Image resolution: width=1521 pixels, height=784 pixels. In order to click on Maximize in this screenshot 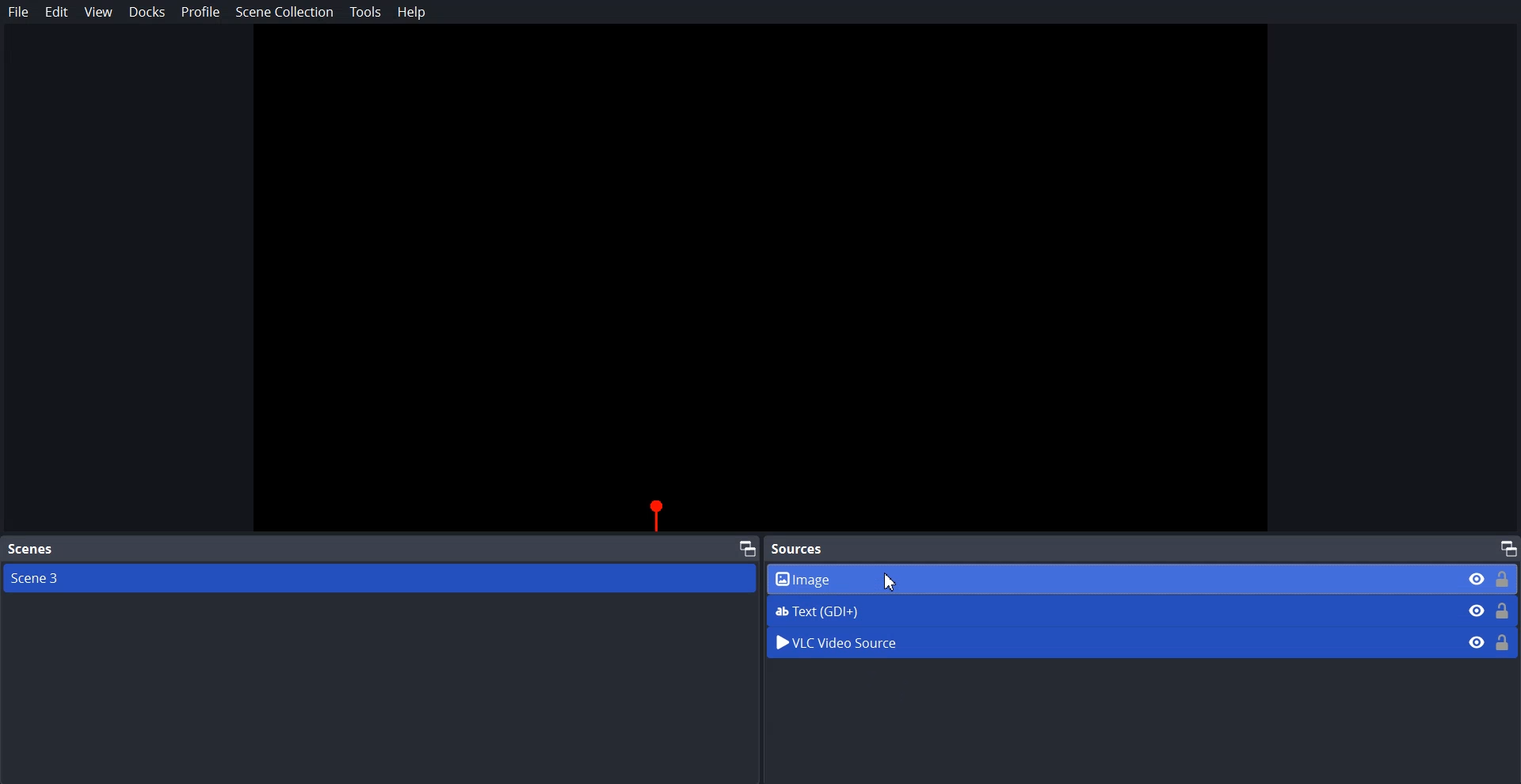, I will do `click(748, 547)`.